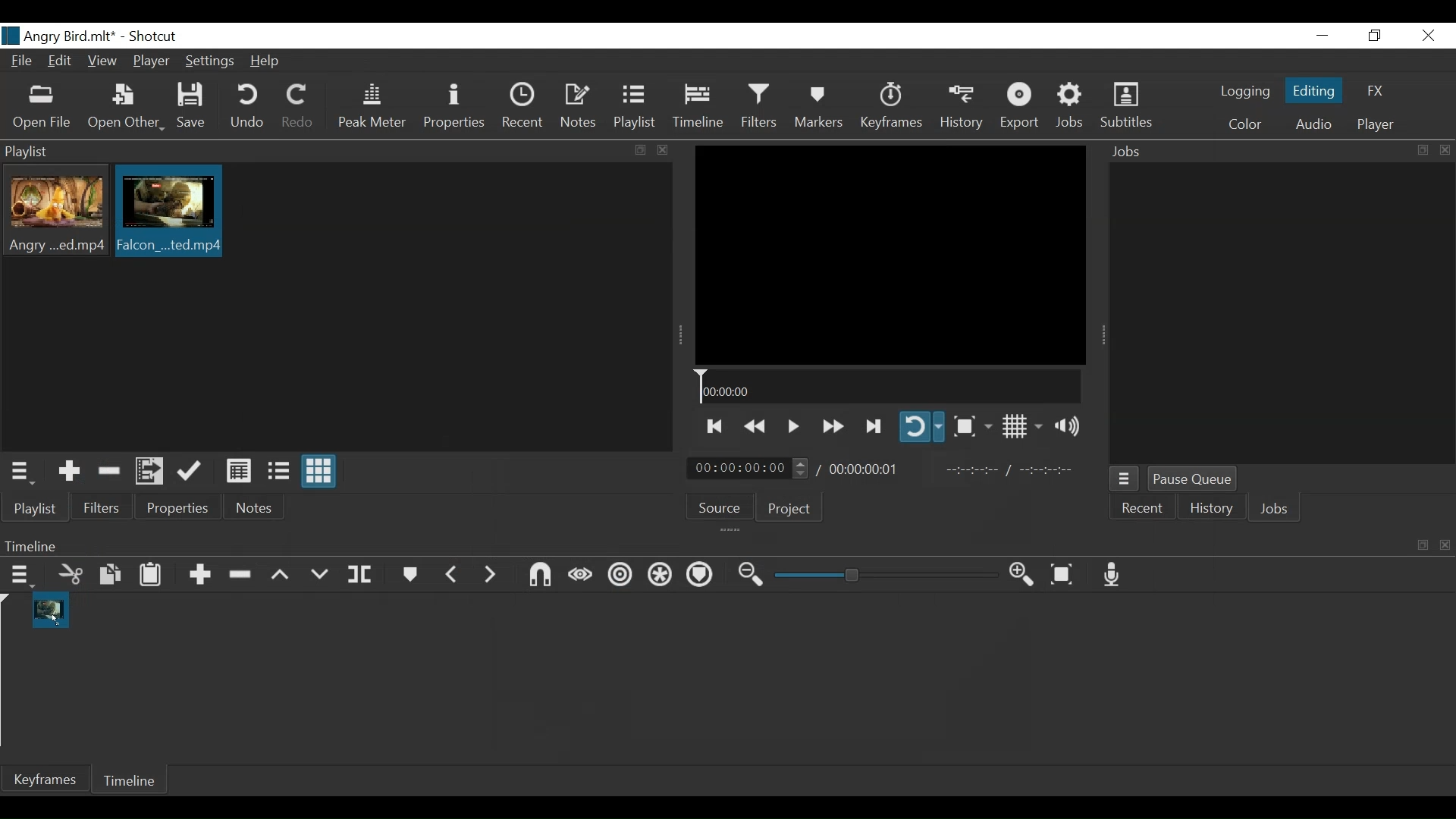  What do you see at coordinates (623, 577) in the screenshot?
I see `Ripple` at bounding box center [623, 577].